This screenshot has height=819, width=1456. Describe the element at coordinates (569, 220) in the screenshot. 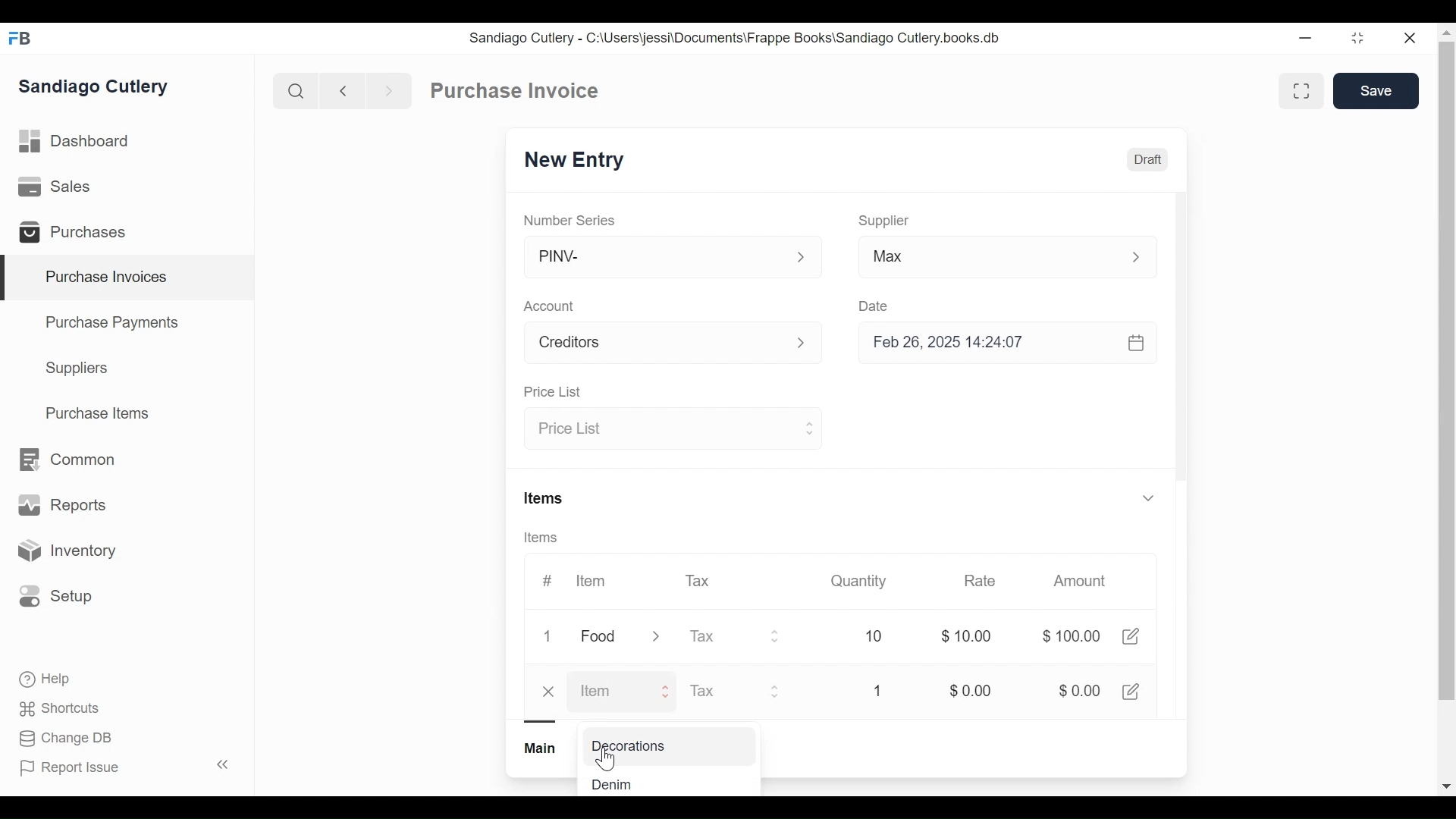

I see `Number Series` at that location.